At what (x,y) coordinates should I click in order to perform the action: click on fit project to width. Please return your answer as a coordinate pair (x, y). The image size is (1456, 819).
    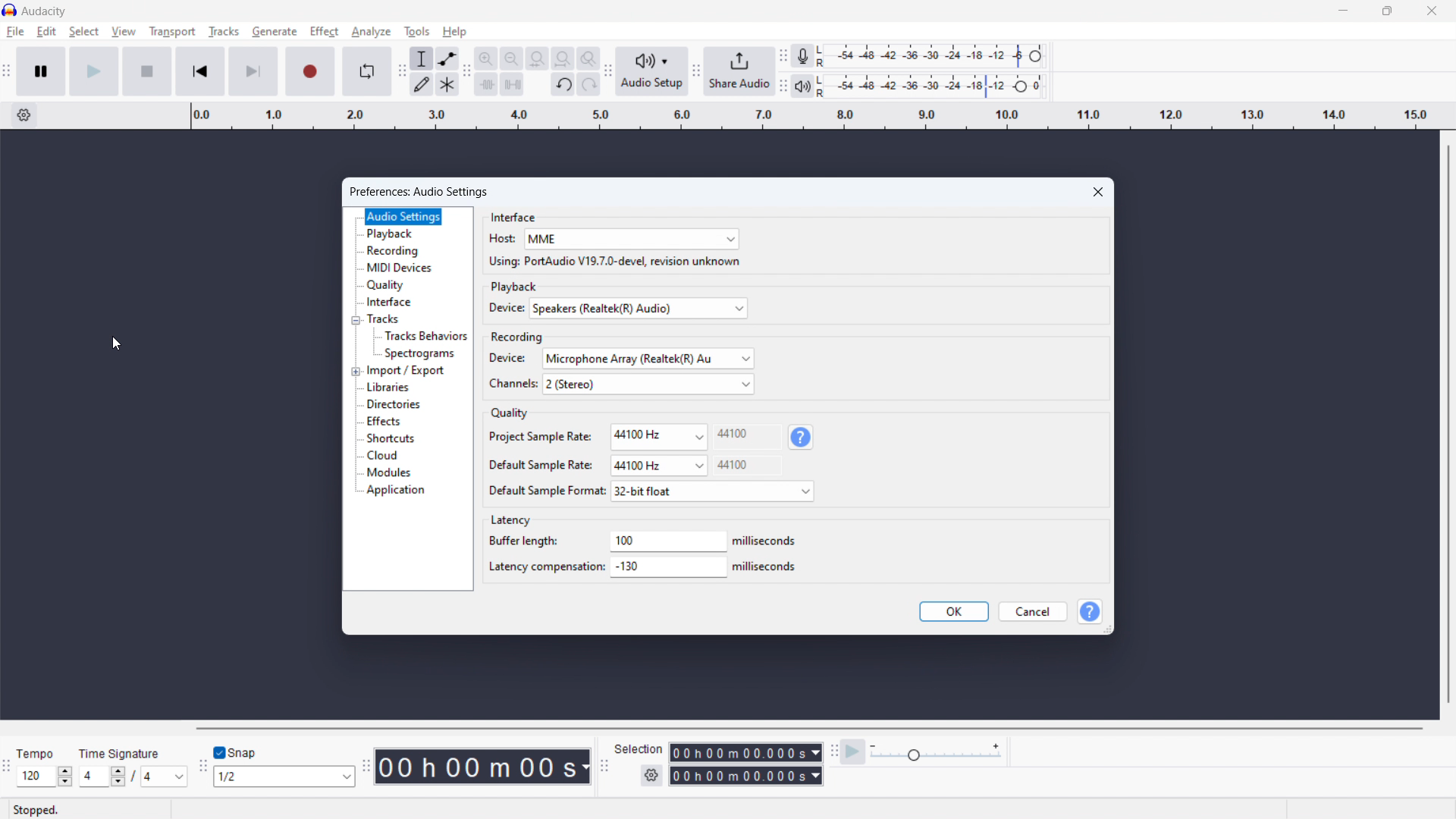
    Looking at the image, I should click on (563, 58).